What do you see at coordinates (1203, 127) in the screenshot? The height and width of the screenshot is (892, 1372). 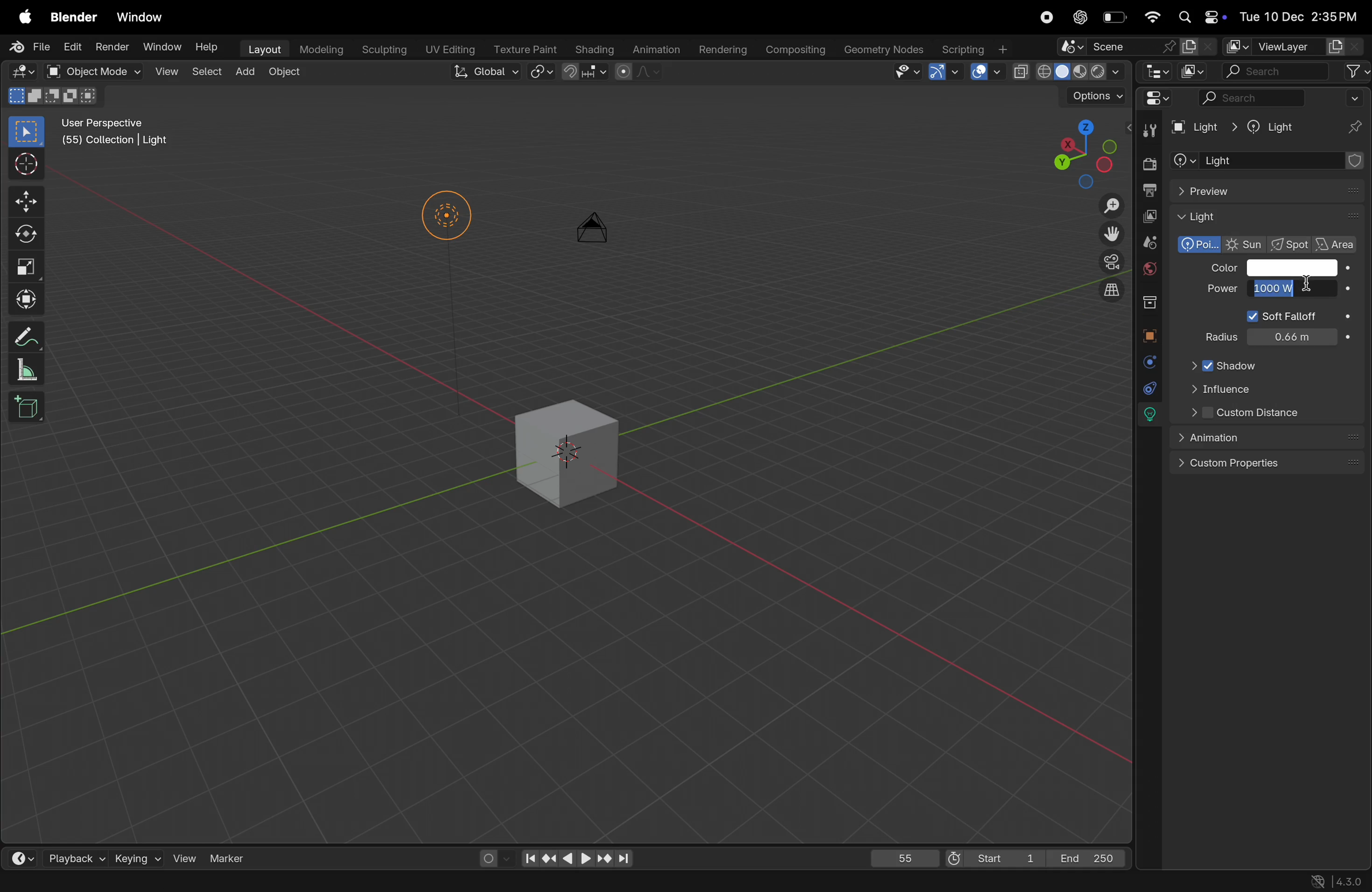 I see `Light` at bounding box center [1203, 127].